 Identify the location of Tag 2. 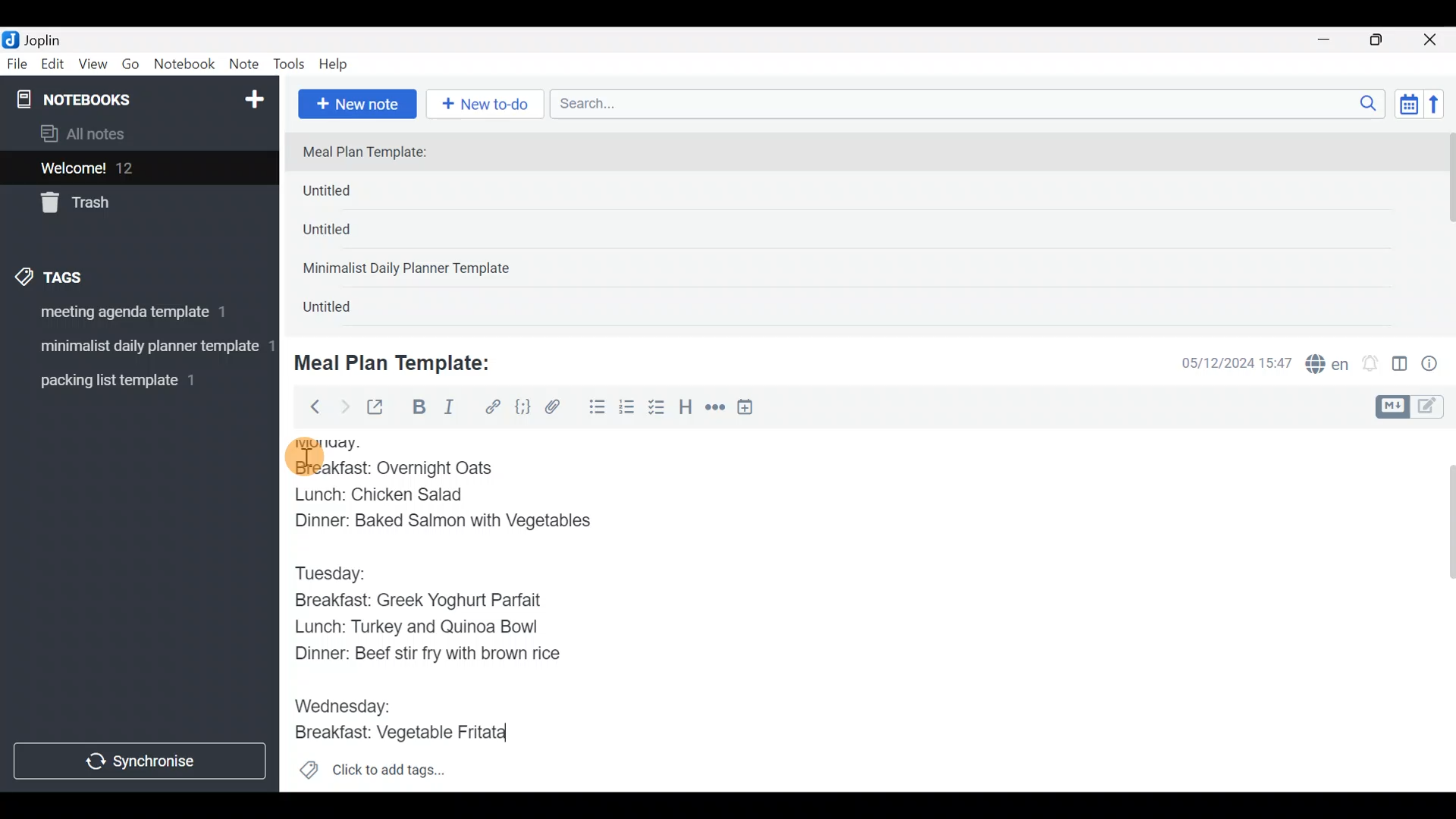
(139, 348).